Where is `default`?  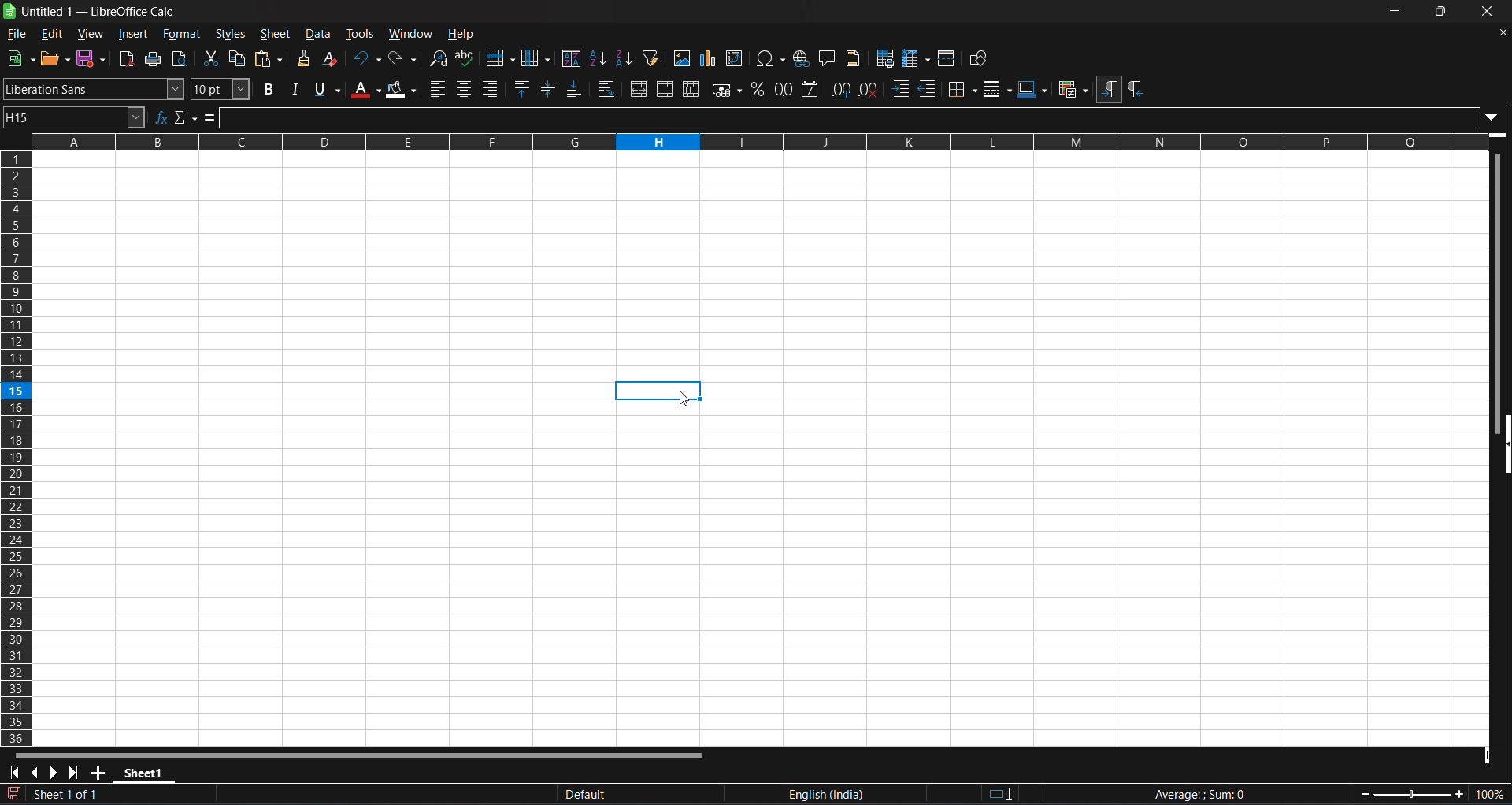
default is located at coordinates (580, 791).